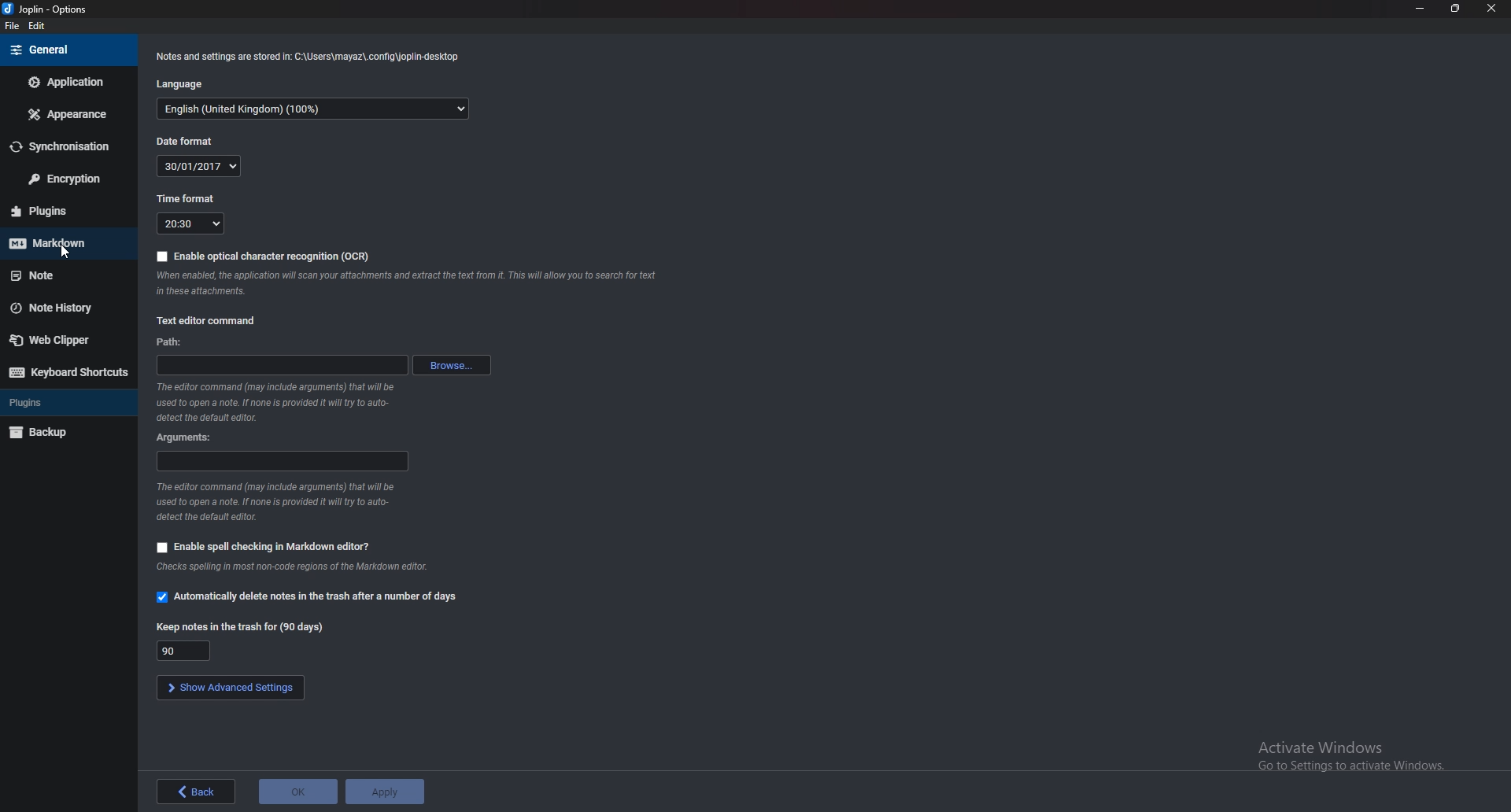 The image size is (1511, 812). What do you see at coordinates (67, 341) in the screenshot?
I see `Web Clipper` at bounding box center [67, 341].